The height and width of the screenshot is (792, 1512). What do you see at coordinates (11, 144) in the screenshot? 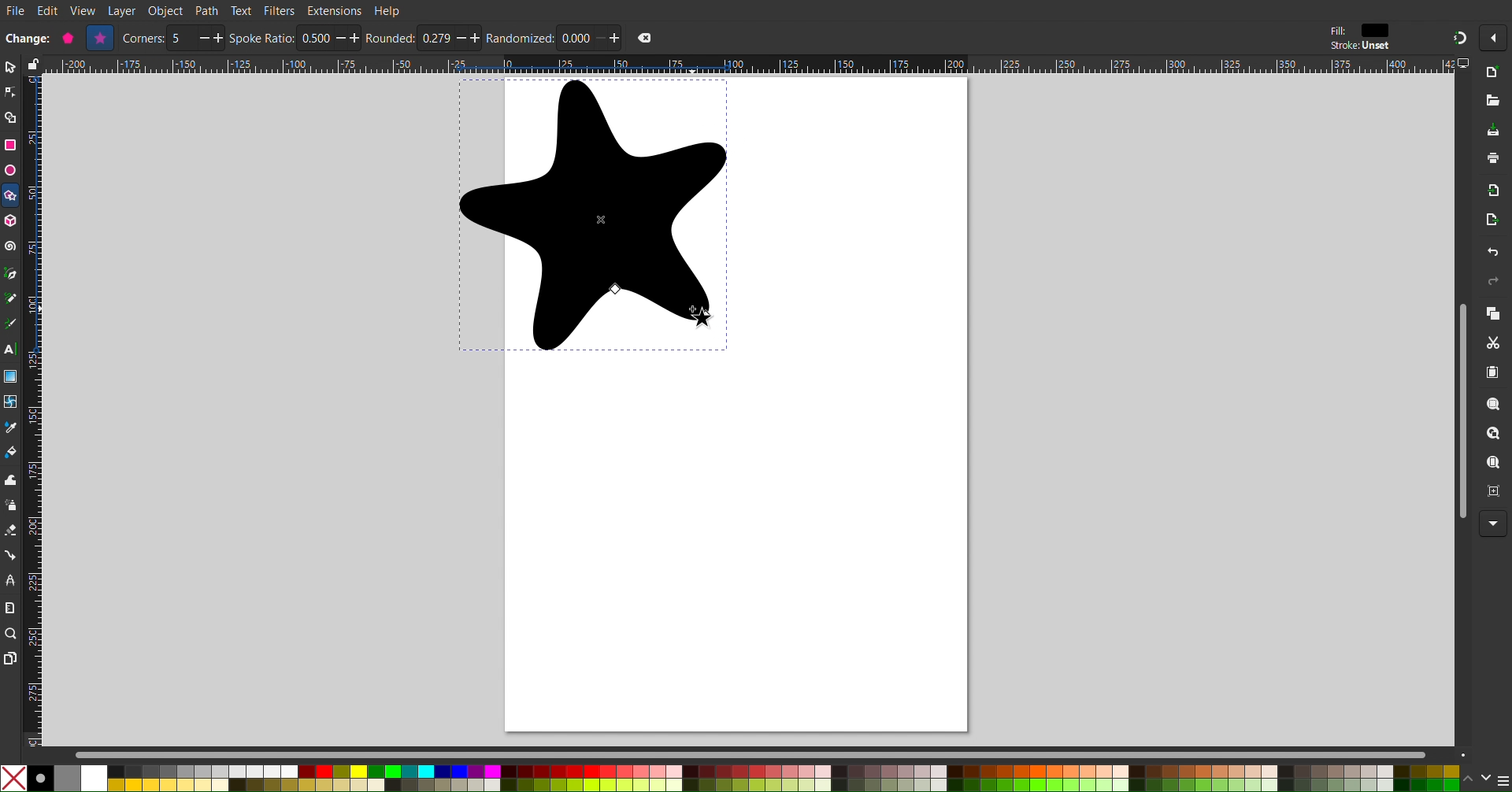
I see `Rectangle Tool` at bounding box center [11, 144].